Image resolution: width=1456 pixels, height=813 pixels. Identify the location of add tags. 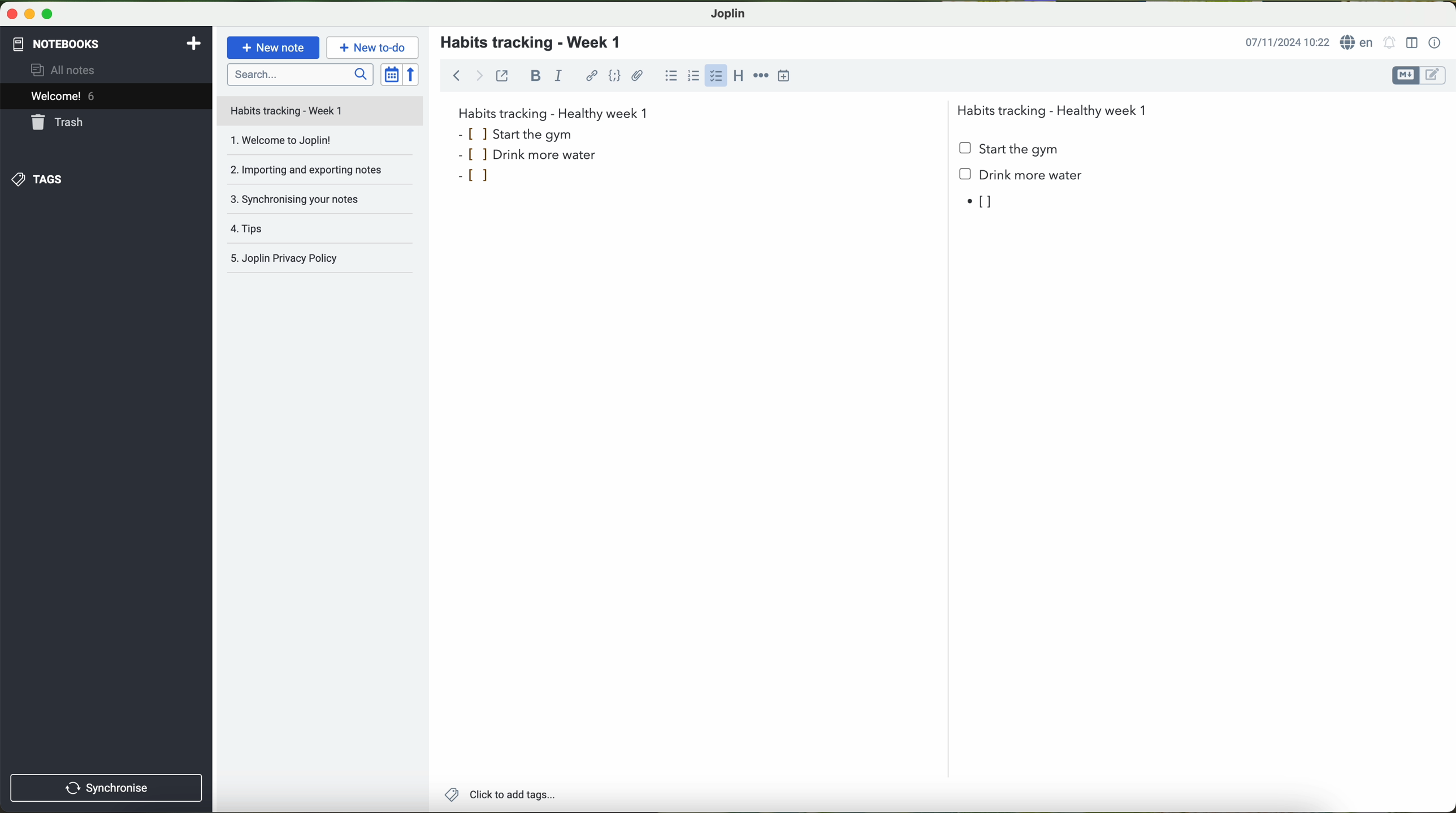
(497, 795).